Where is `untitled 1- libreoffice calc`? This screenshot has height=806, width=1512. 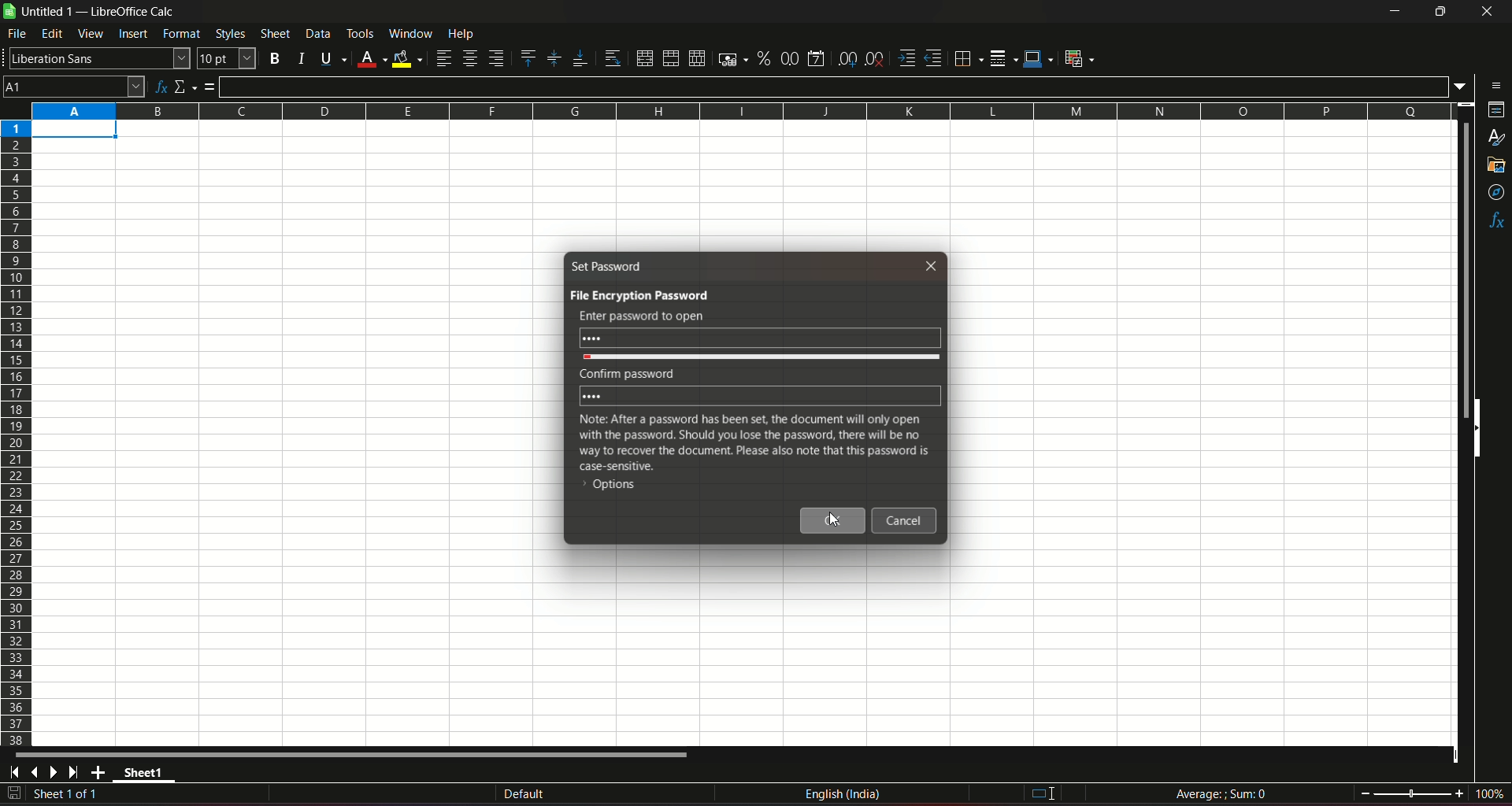
untitled 1- libreoffice calc is located at coordinates (101, 13).